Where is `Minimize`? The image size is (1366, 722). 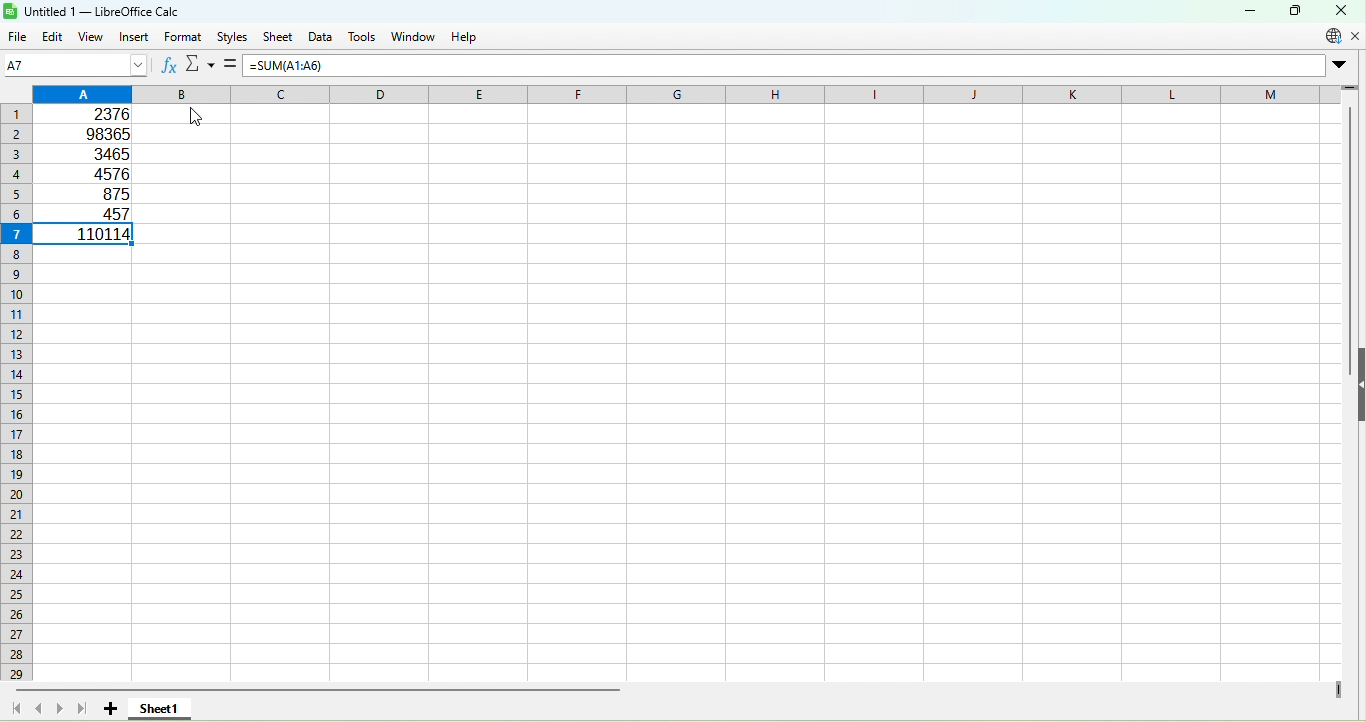 Minimize is located at coordinates (1247, 12).